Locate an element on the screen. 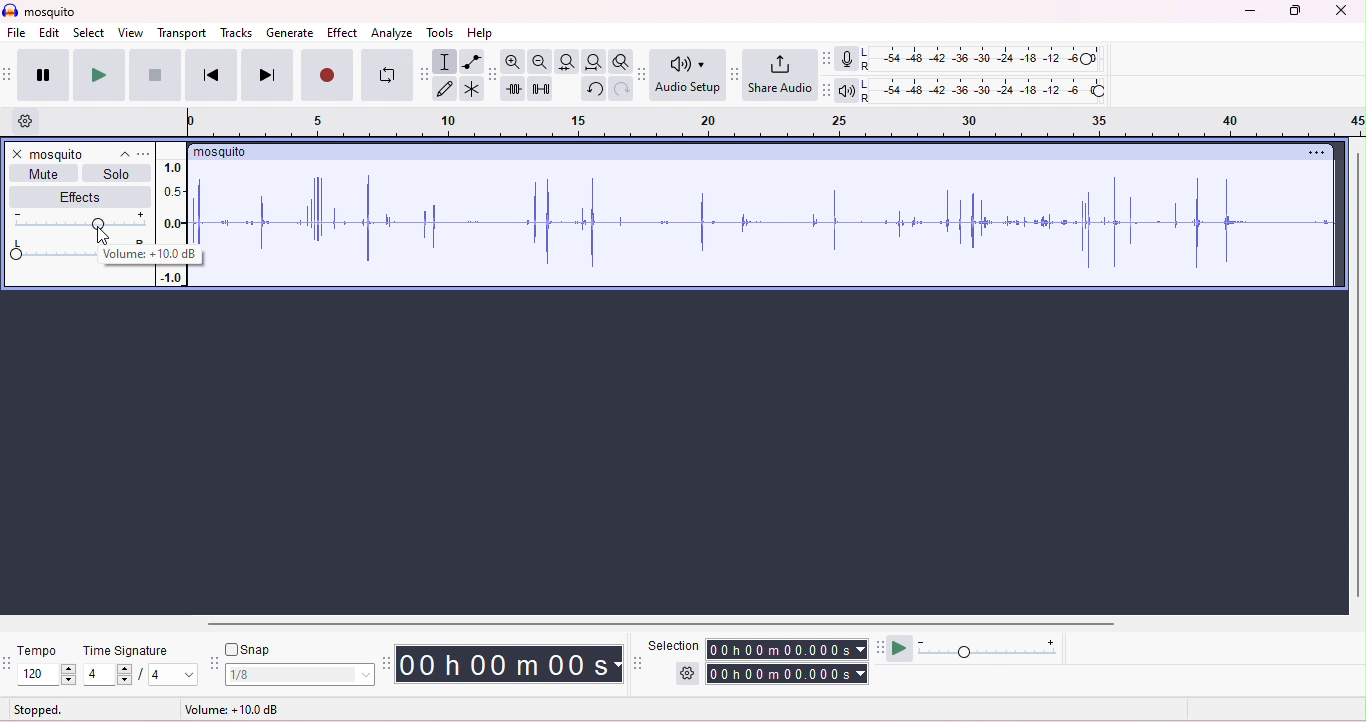 This screenshot has width=1366, height=722. maximize is located at coordinates (1293, 11).